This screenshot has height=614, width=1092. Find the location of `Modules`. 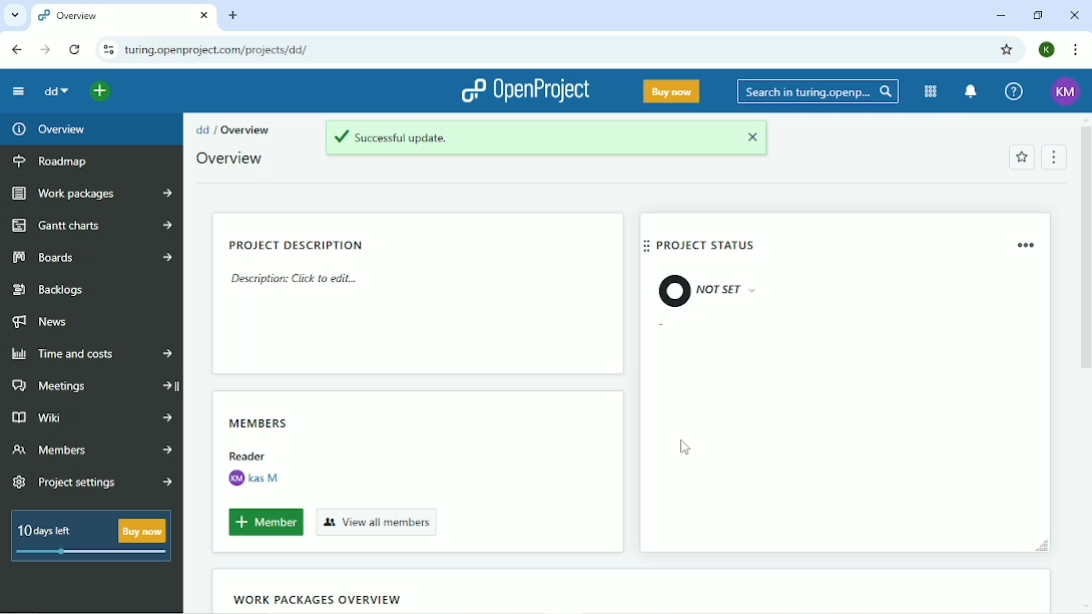

Modules is located at coordinates (930, 92).